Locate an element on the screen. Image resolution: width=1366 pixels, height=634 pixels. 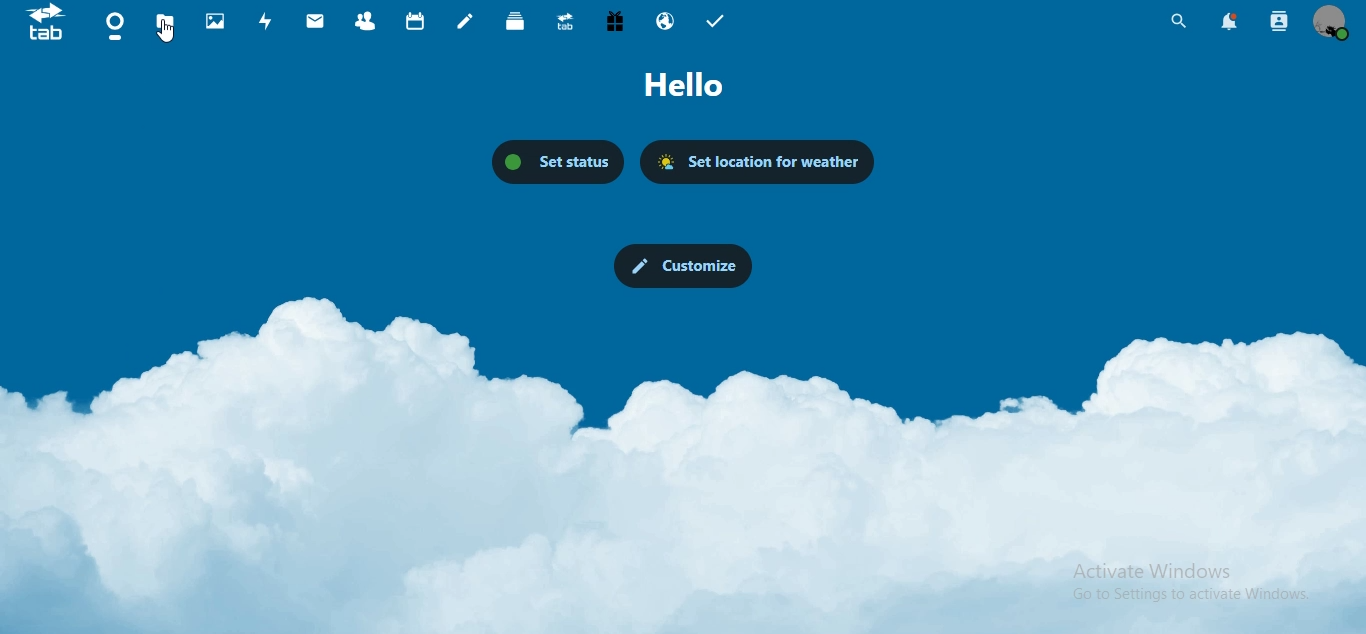
Mouse Cursor is located at coordinates (171, 35).